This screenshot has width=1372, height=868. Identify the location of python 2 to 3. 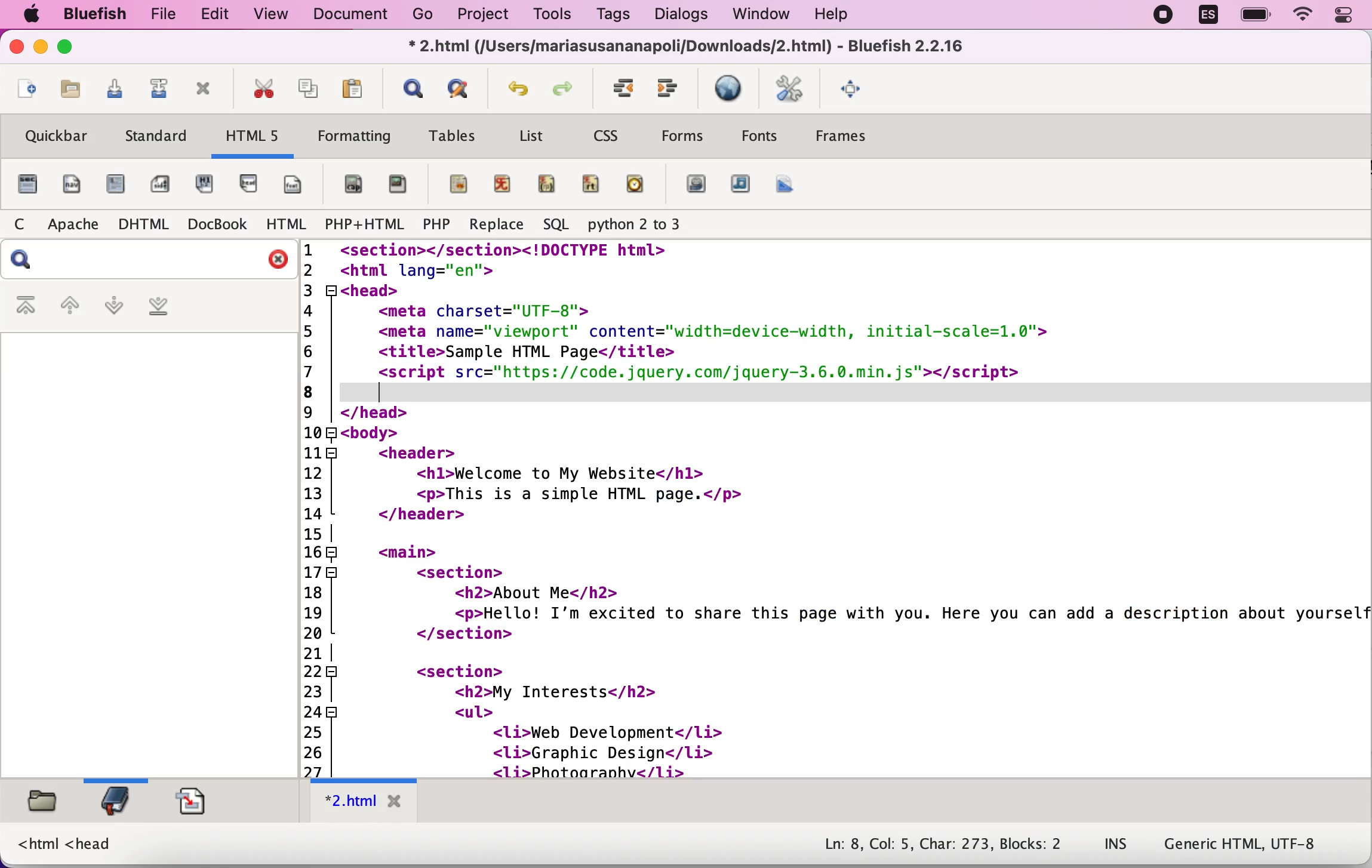
(640, 225).